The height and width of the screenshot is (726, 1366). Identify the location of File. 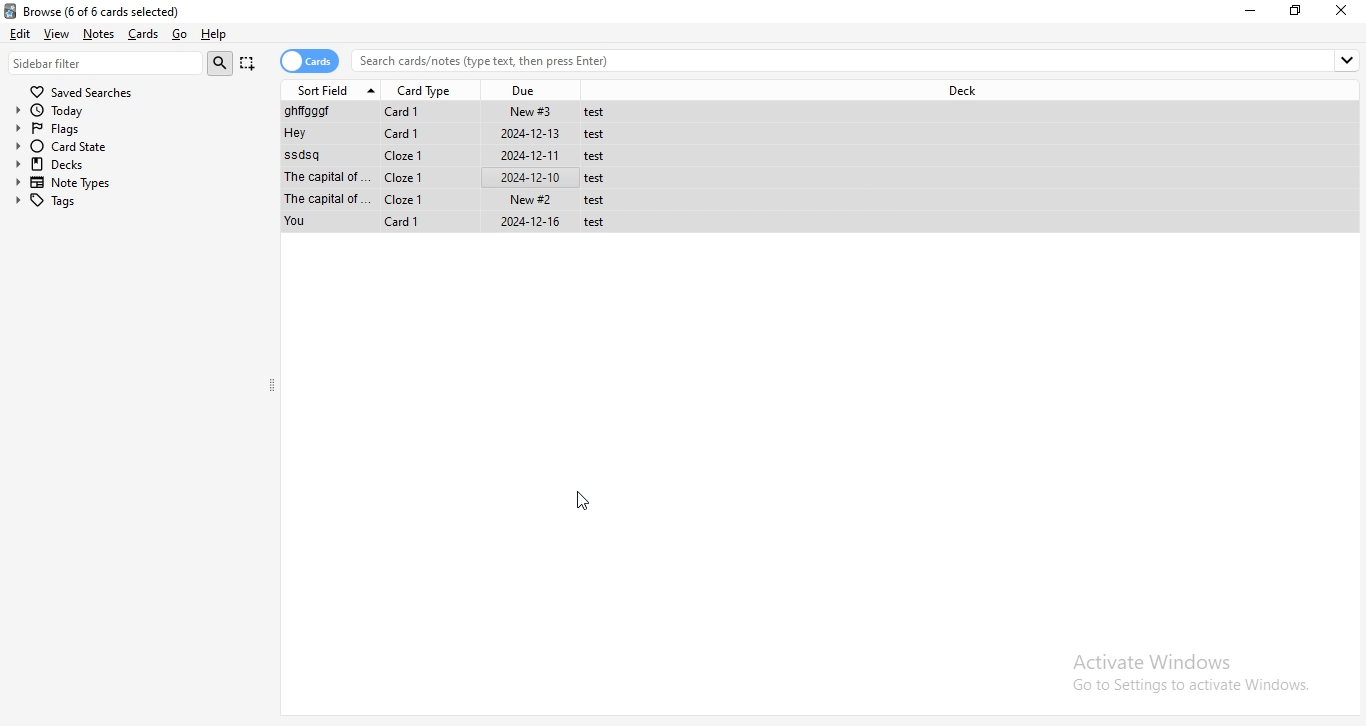
(456, 156).